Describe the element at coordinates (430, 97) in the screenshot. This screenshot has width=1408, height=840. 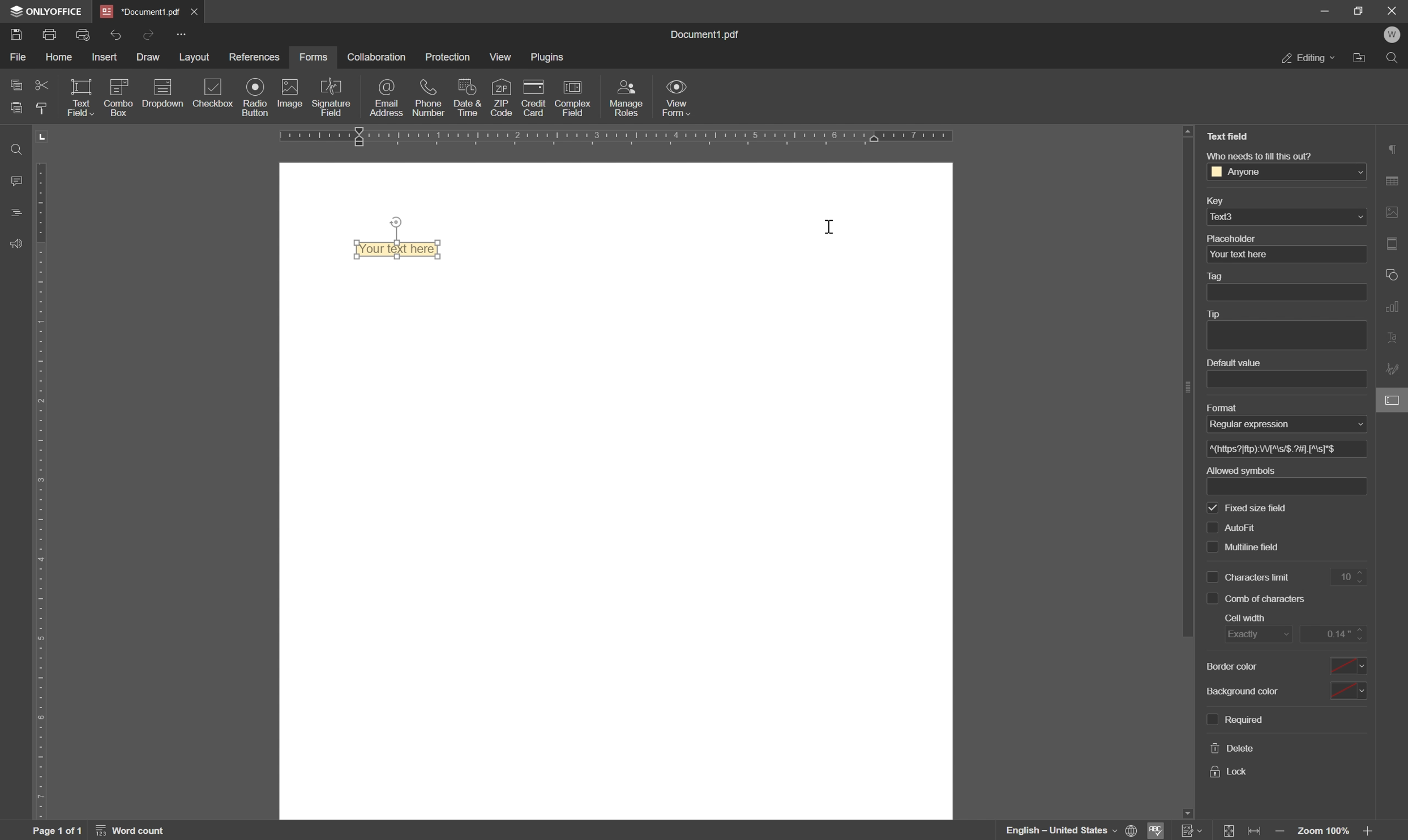
I see `phone number` at that location.